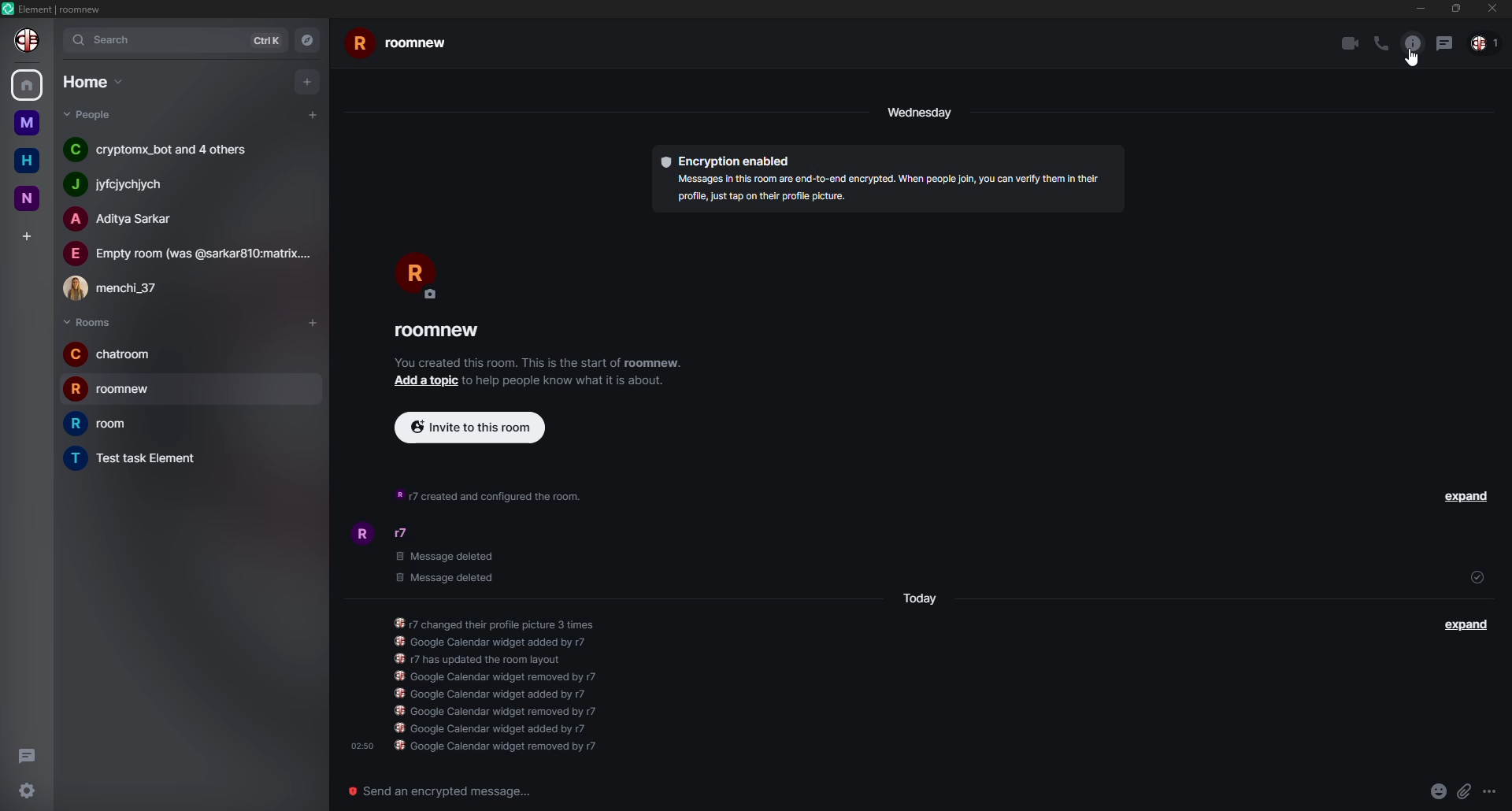 The height and width of the screenshot is (811, 1512). I want to click on people, so click(1485, 43).